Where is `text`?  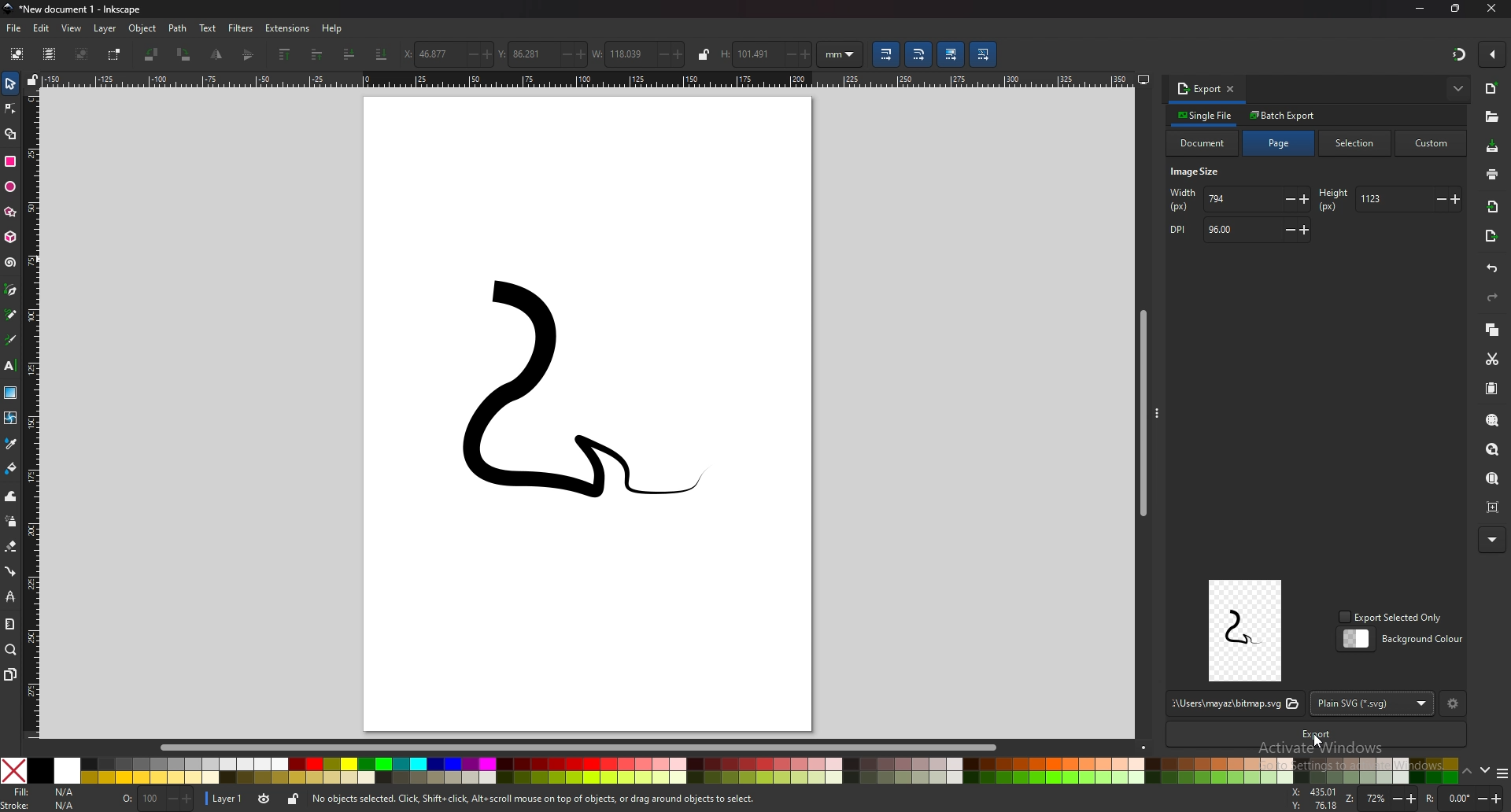 text is located at coordinates (11, 366).